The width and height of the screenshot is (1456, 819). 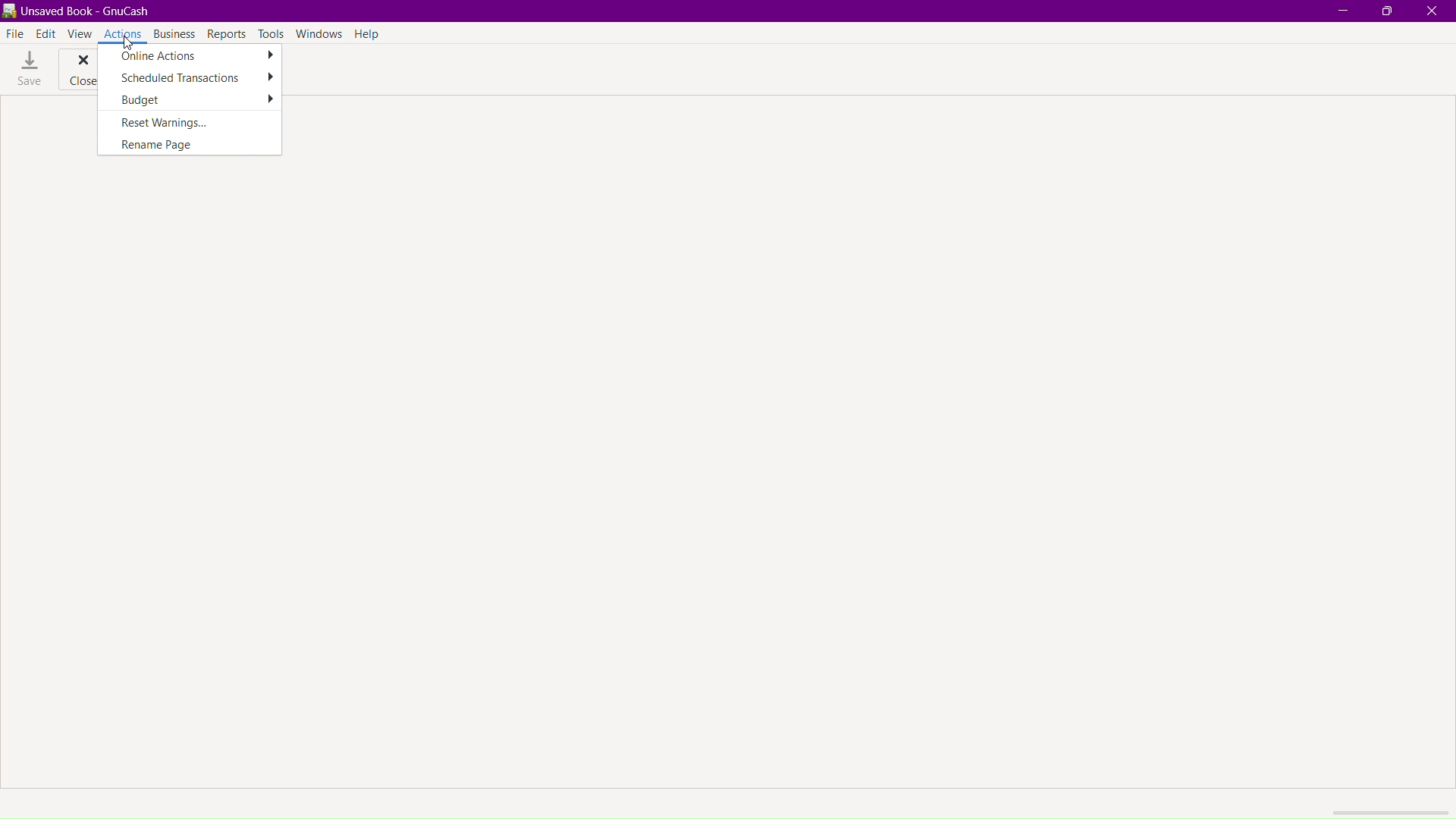 What do you see at coordinates (1433, 10) in the screenshot?
I see `Close` at bounding box center [1433, 10].